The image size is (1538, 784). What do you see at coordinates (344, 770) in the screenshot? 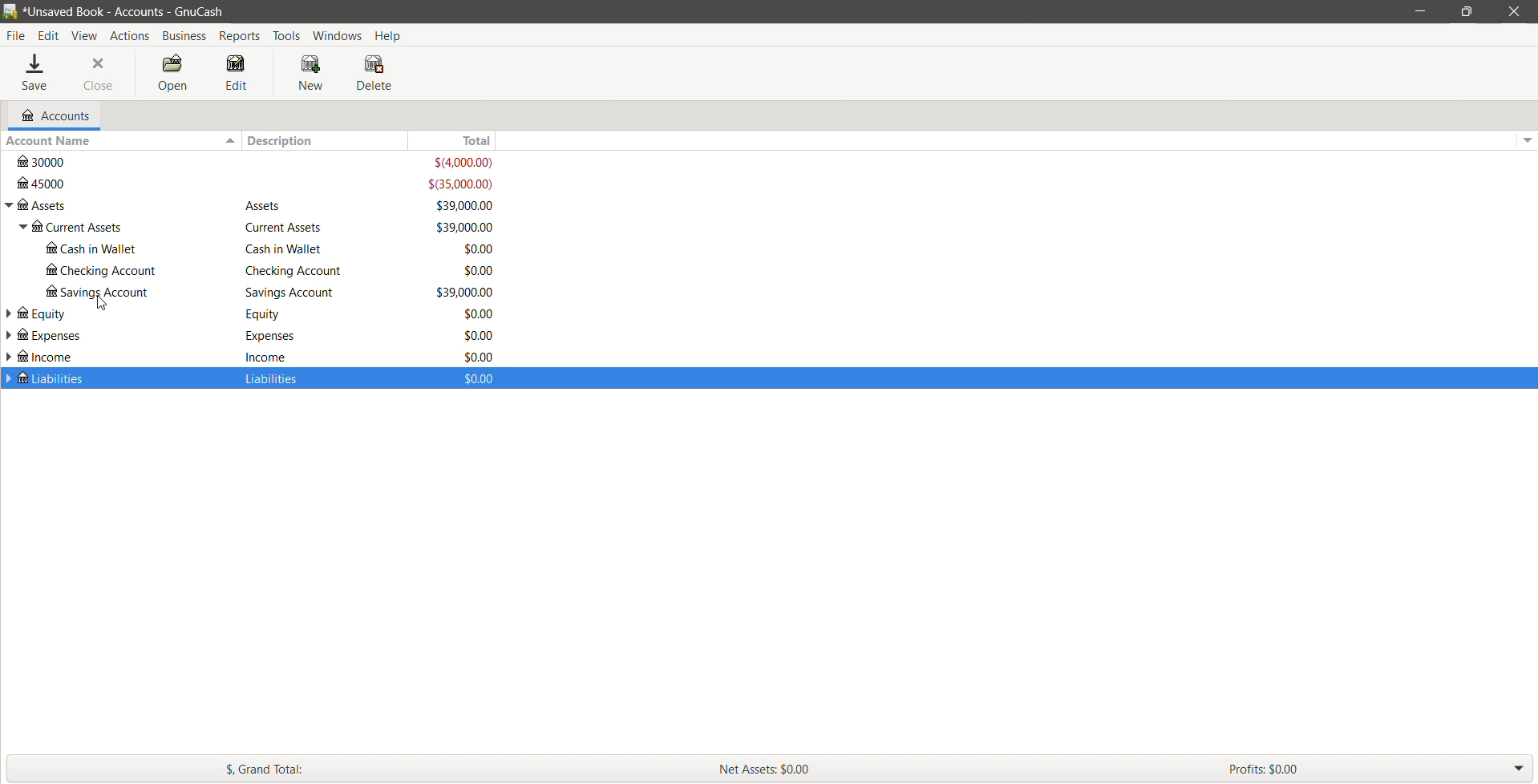
I see `Grand Total` at bounding box center [344, 770].